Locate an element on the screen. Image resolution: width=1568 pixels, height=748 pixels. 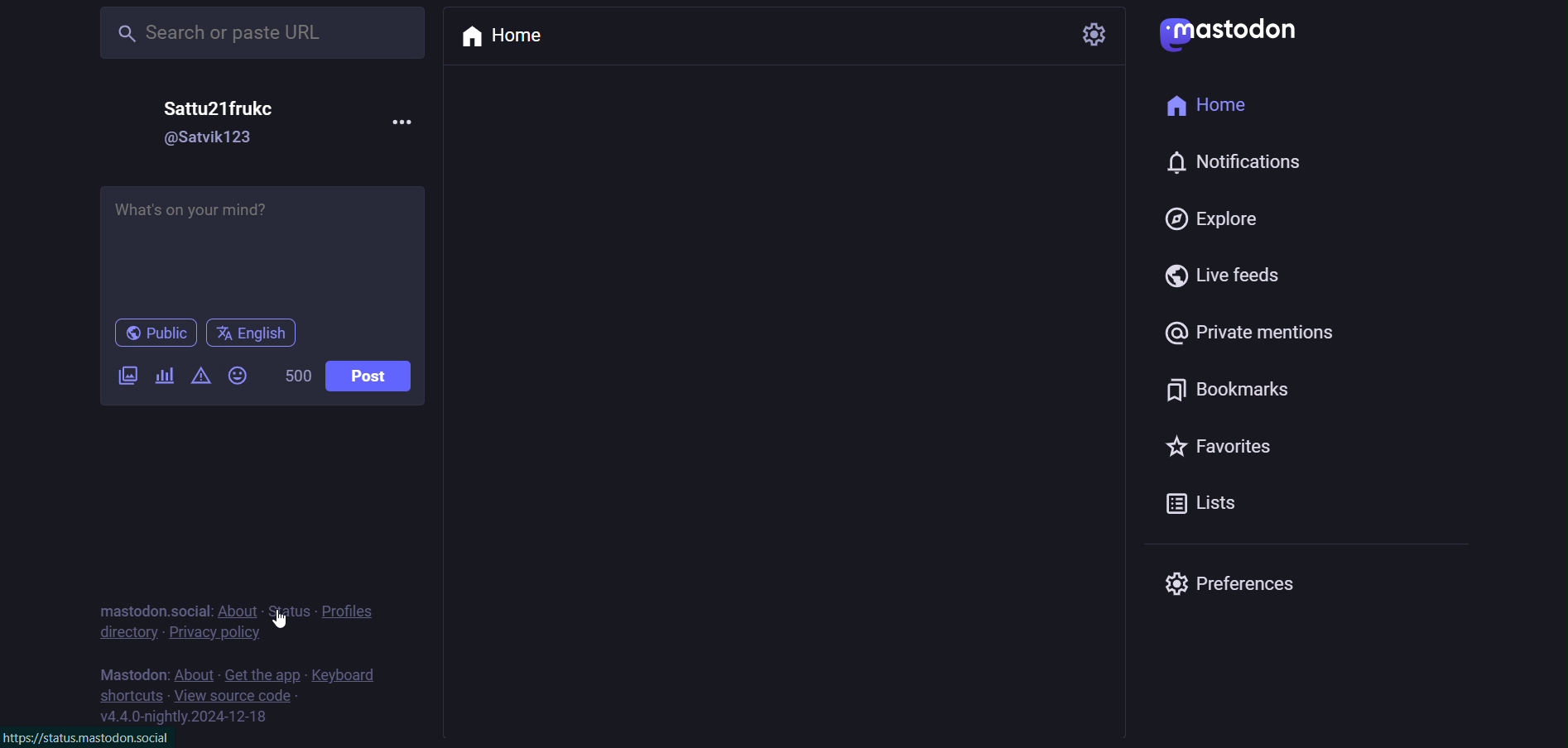
source code is located at coordinates (236, 696).